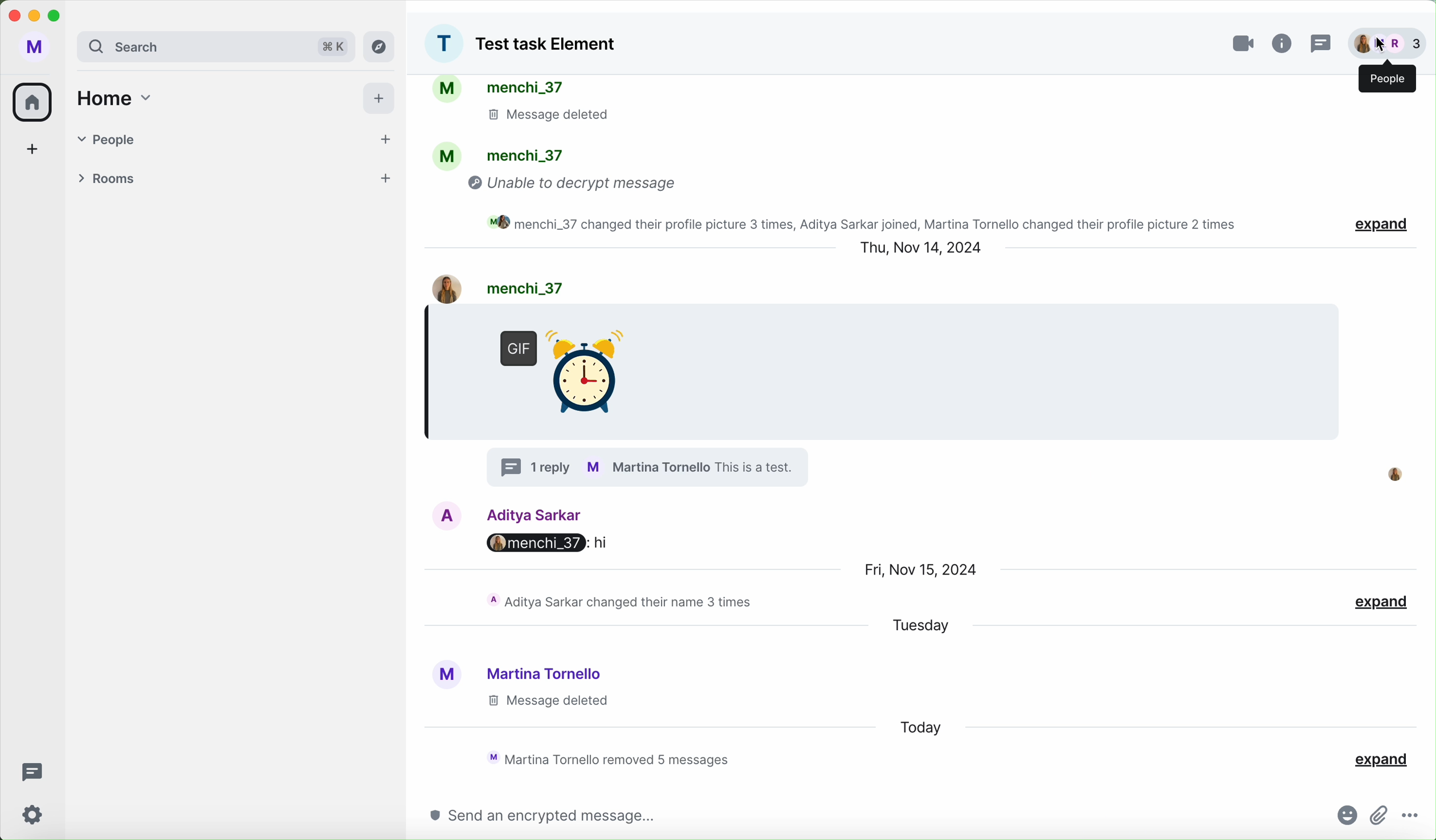 The image size is (1436, 840). What do you see at coordinates (13, 15) in the screenshot?
I see `close program` at bounding box center [13, 15].